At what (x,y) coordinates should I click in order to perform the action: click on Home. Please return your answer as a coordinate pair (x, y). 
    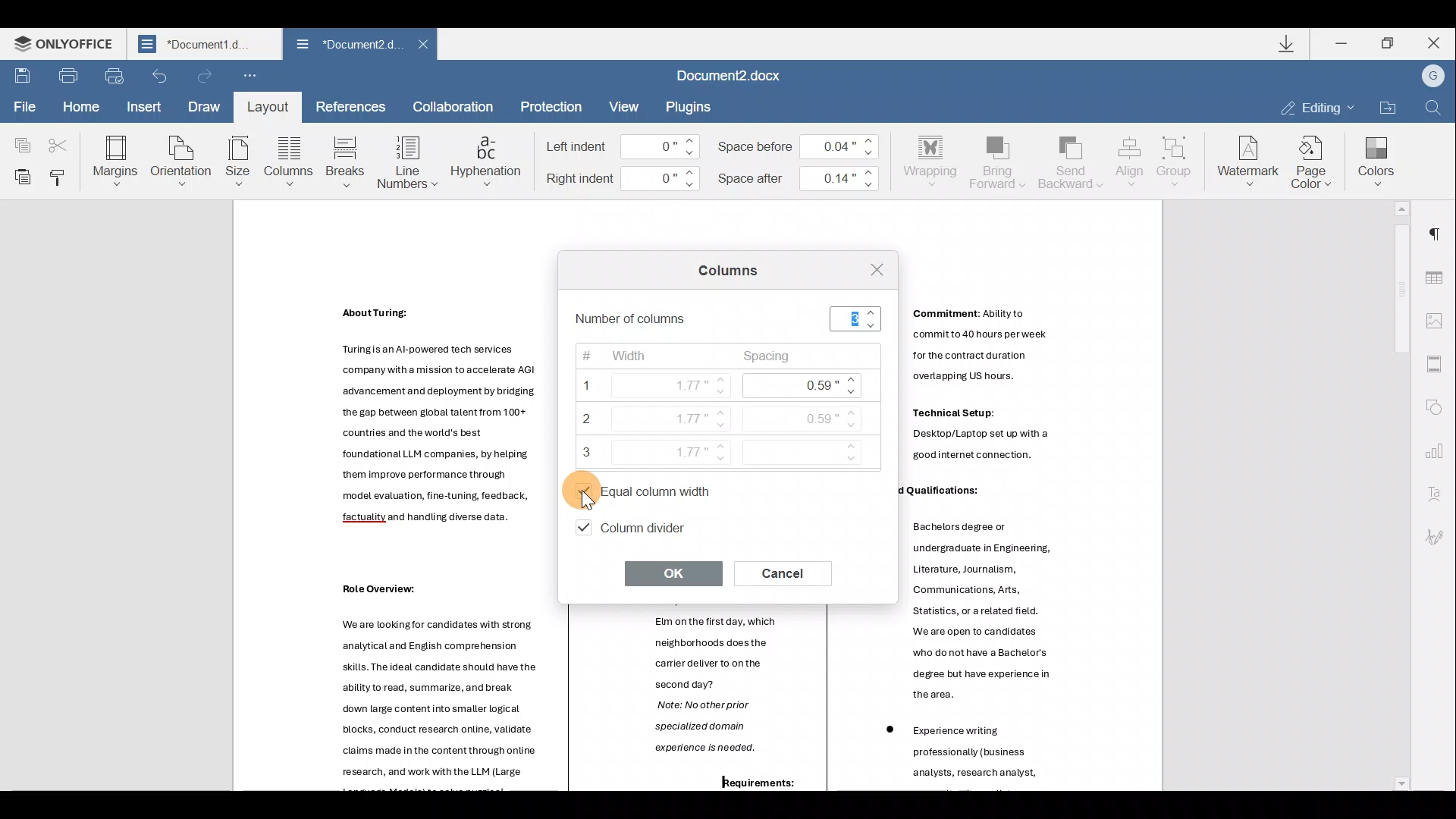
    Looking at the image, I should click on (80, 105).